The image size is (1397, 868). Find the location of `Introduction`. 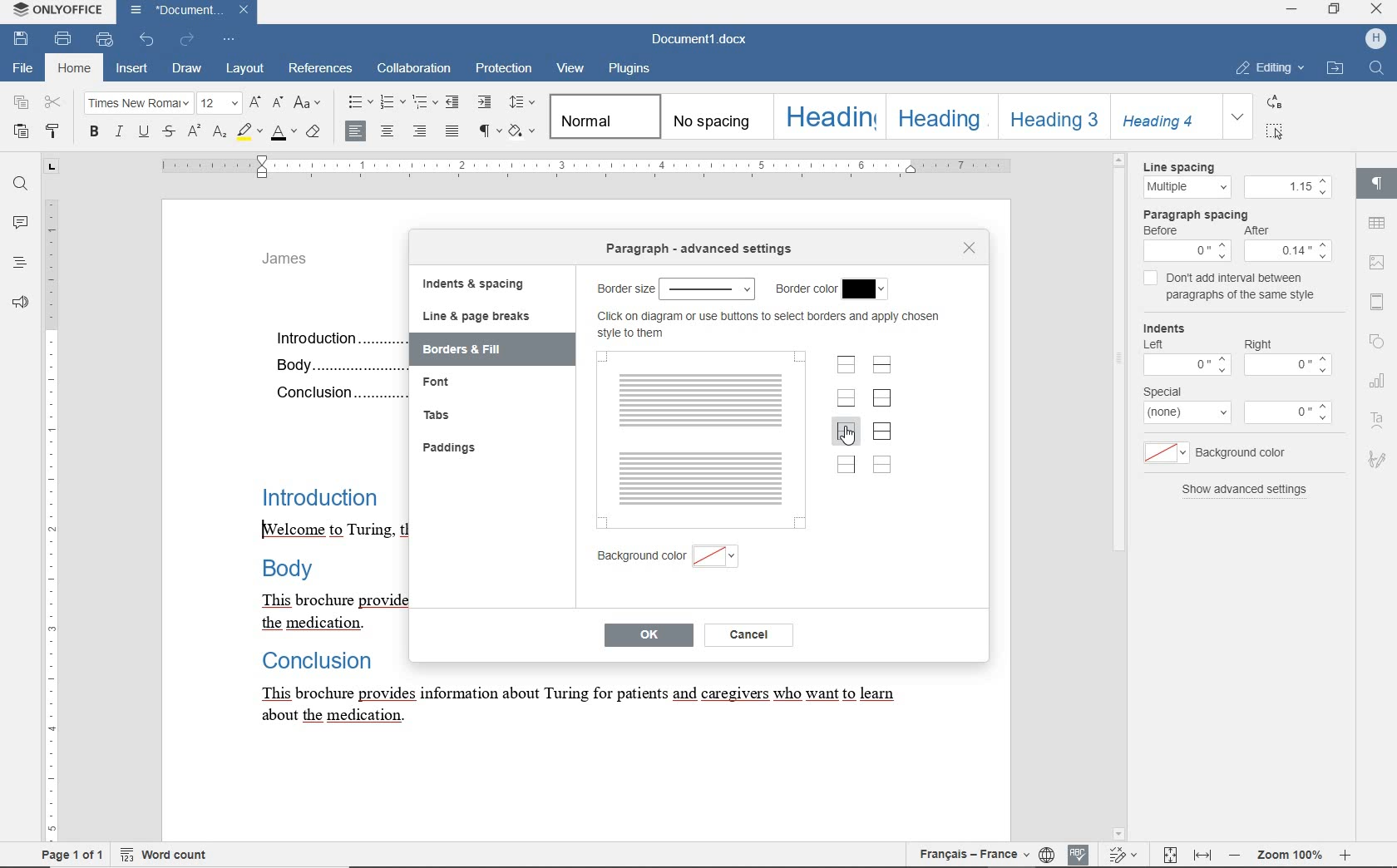

Introduction is located at coordinates (325, 498).